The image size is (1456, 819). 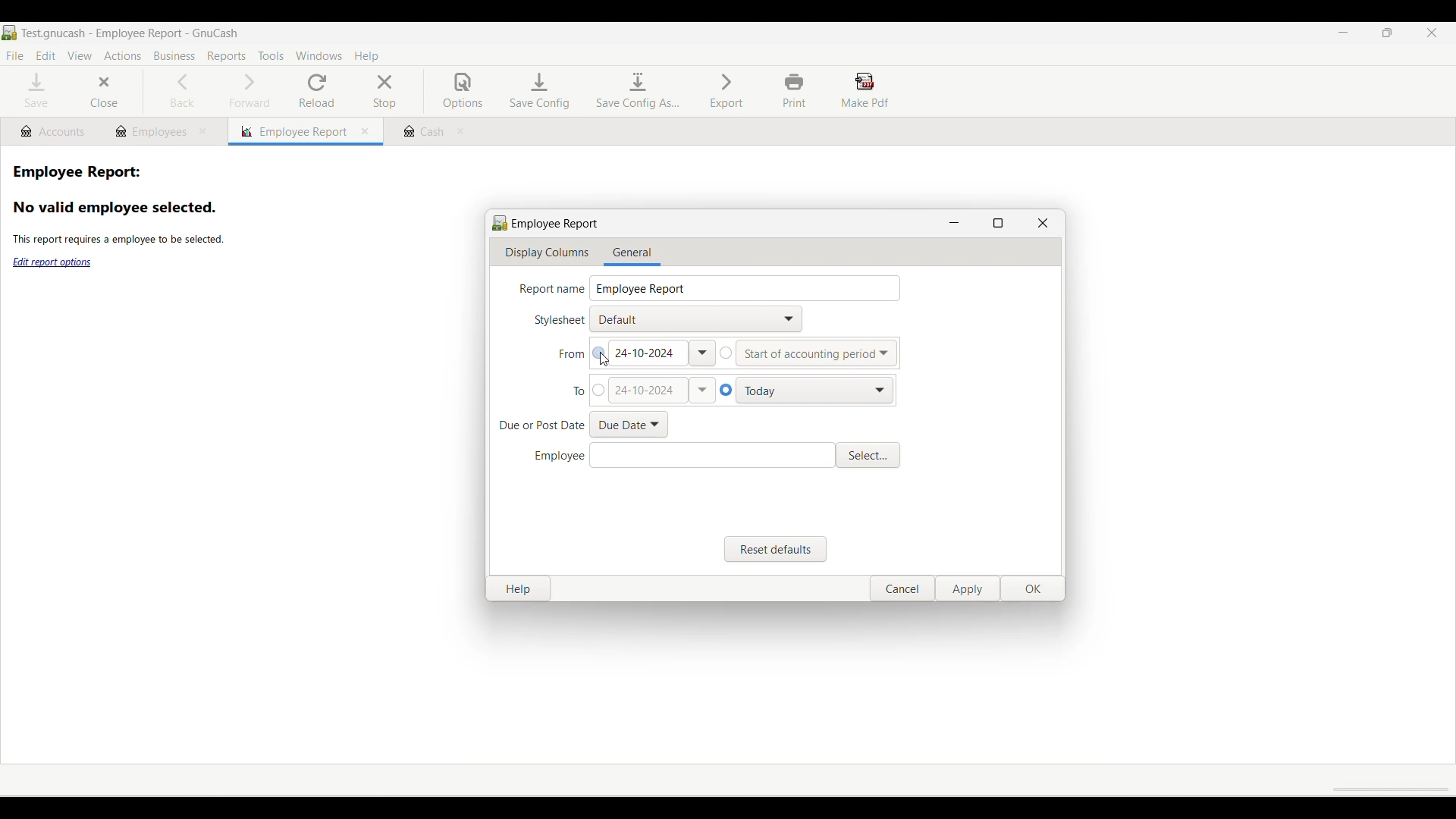 What do you see at coordinates (629, 425) in the screenshot?
I see `Preset due/post date options` at bounding box center [629, 425].